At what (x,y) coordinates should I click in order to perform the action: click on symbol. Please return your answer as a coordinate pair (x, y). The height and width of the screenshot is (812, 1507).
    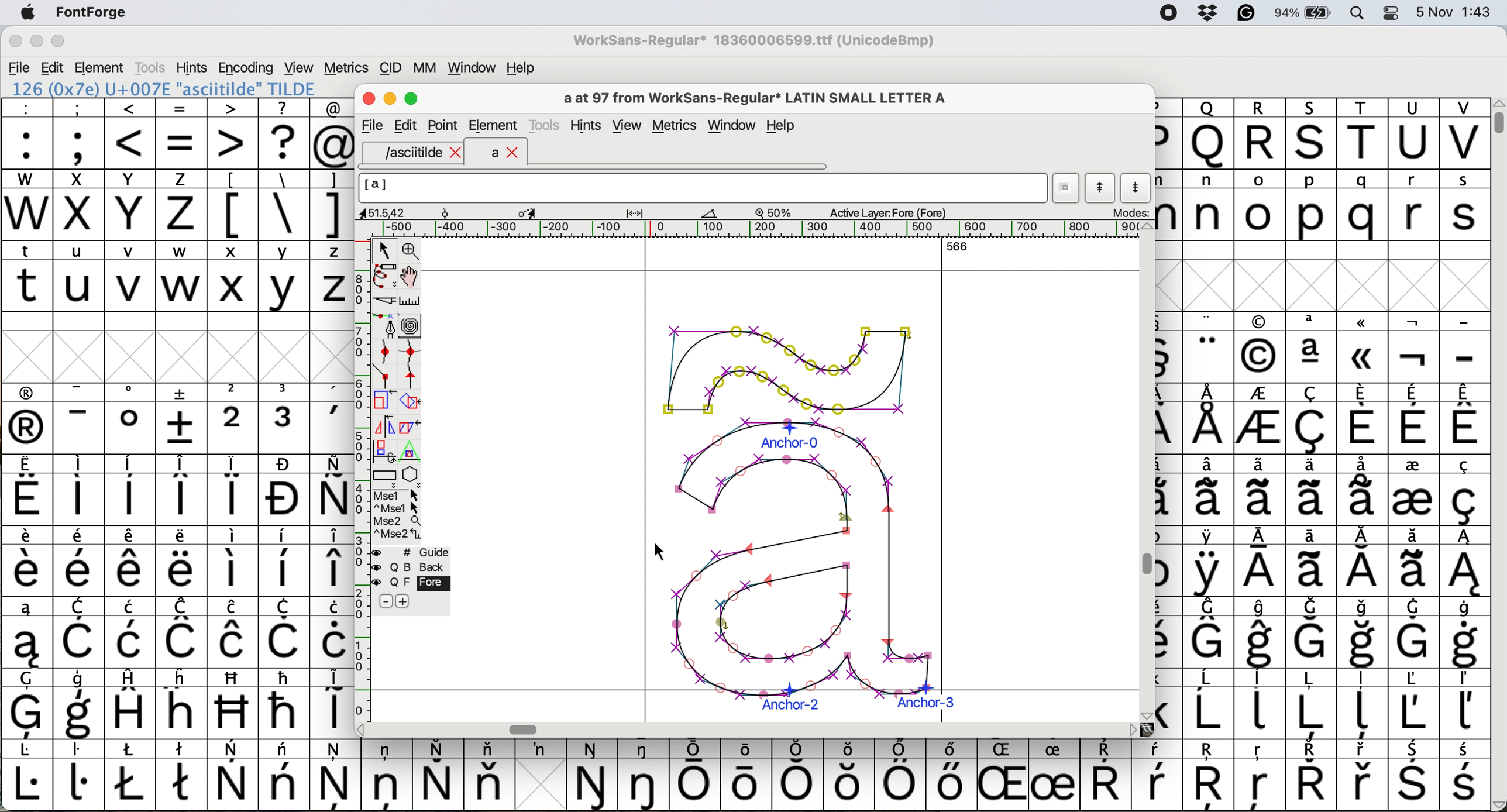
    Looking at the image, I should click on (183, 773).